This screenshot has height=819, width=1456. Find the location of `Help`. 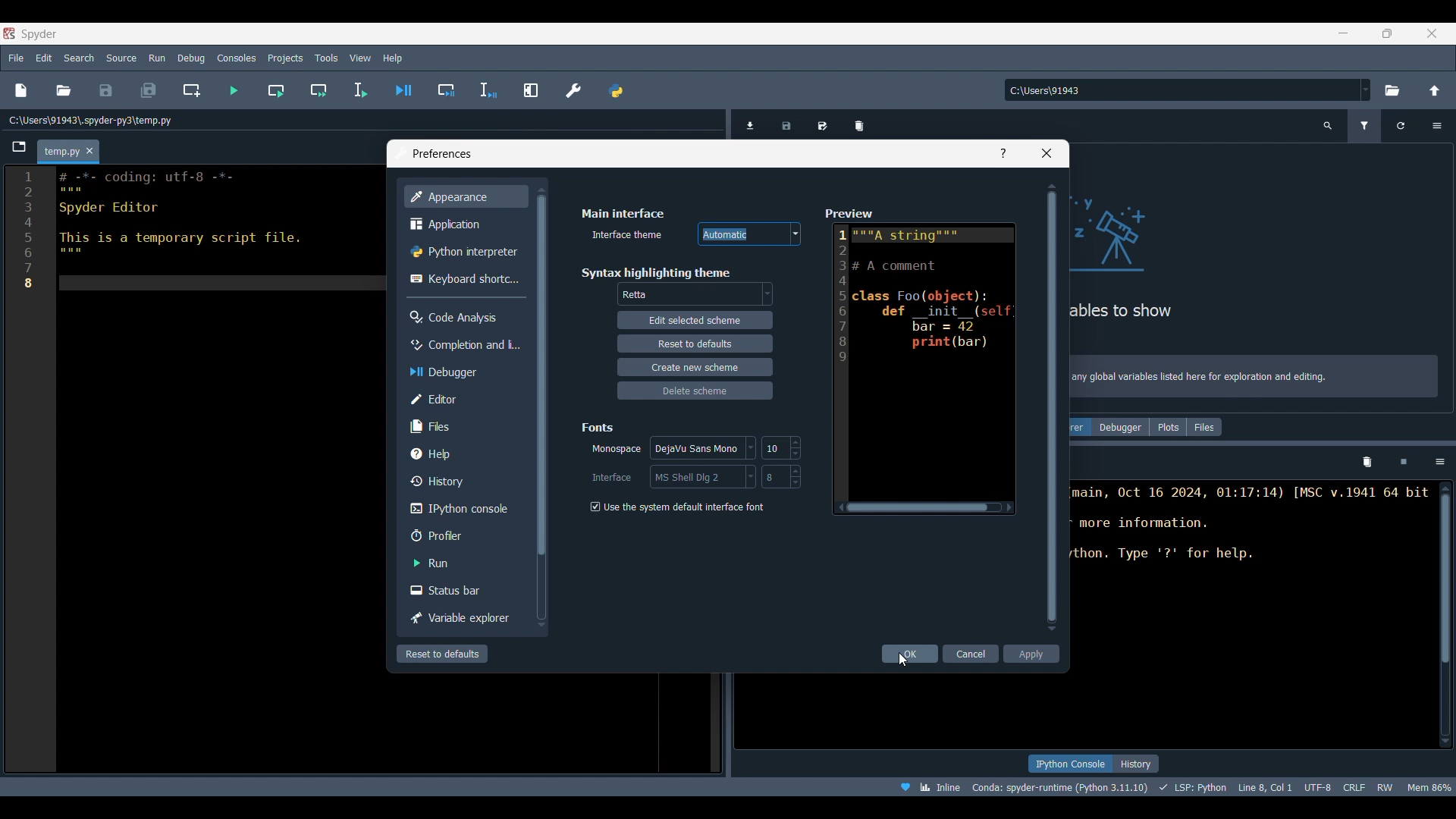

Help is located at coordinates (463, 453).